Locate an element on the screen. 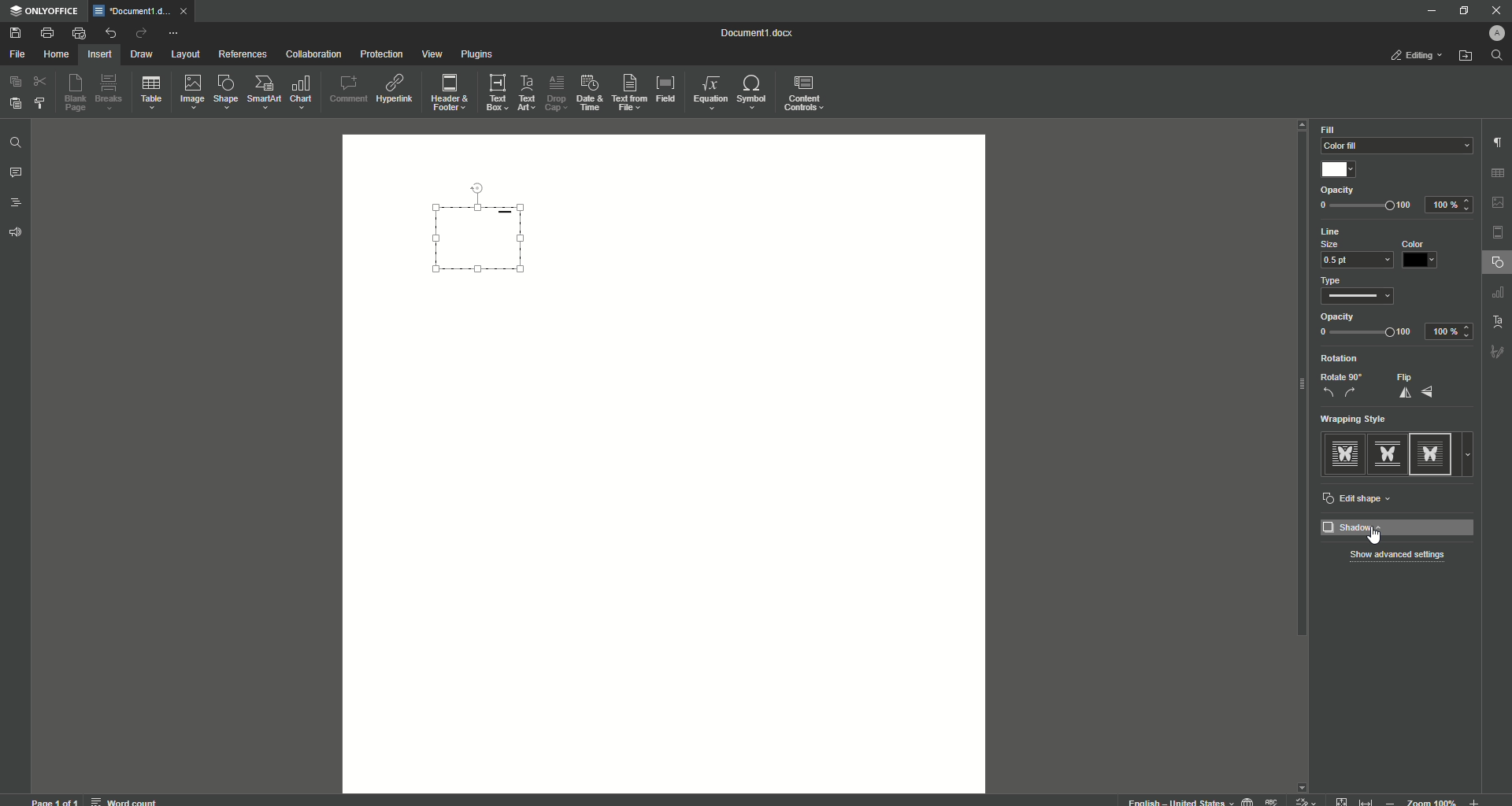 Image resolution: width=1512 pixels, height=806 pixels. close is located at coordinates (187, 10).